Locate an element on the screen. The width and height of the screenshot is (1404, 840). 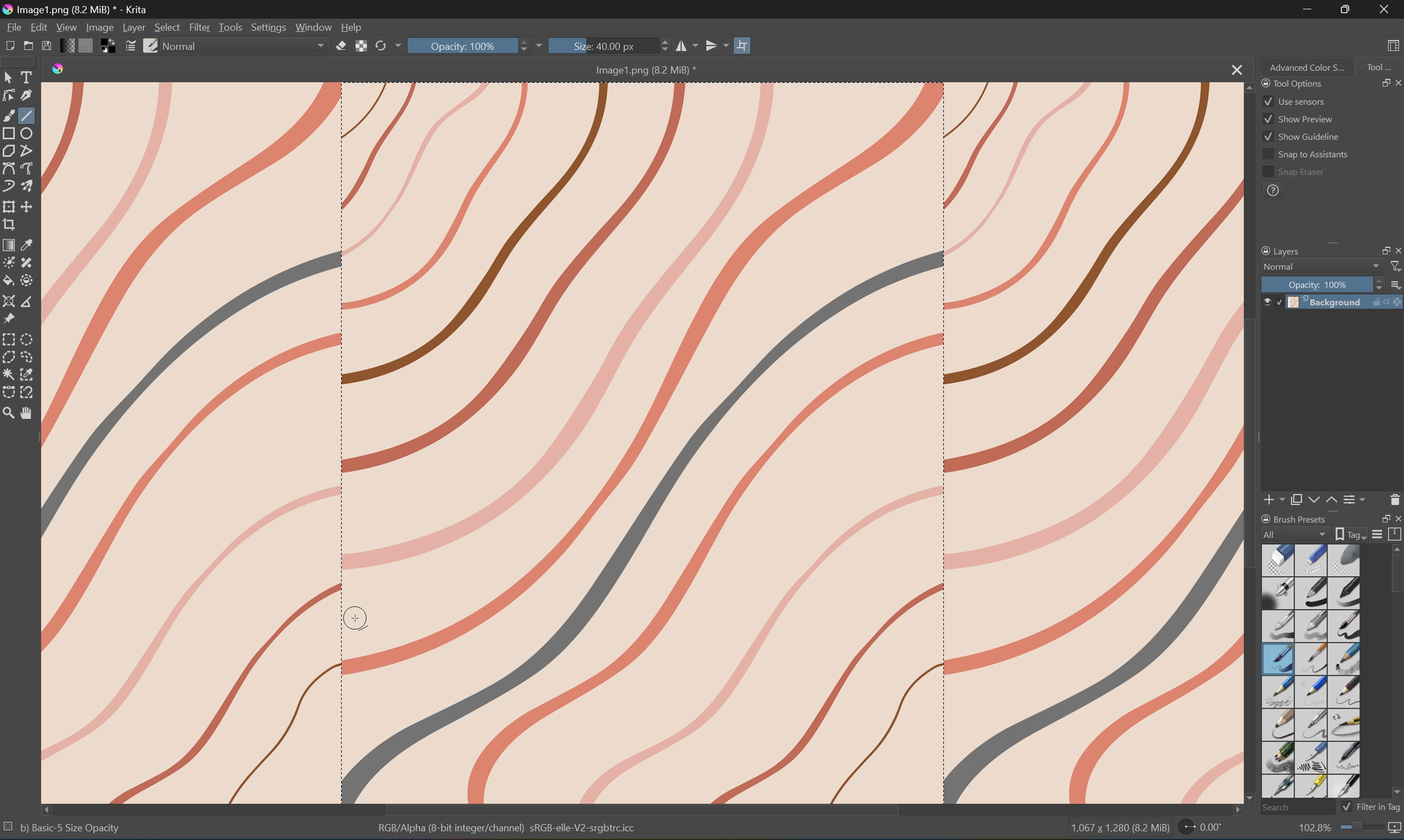
Window is located at coordinates (315, 28).